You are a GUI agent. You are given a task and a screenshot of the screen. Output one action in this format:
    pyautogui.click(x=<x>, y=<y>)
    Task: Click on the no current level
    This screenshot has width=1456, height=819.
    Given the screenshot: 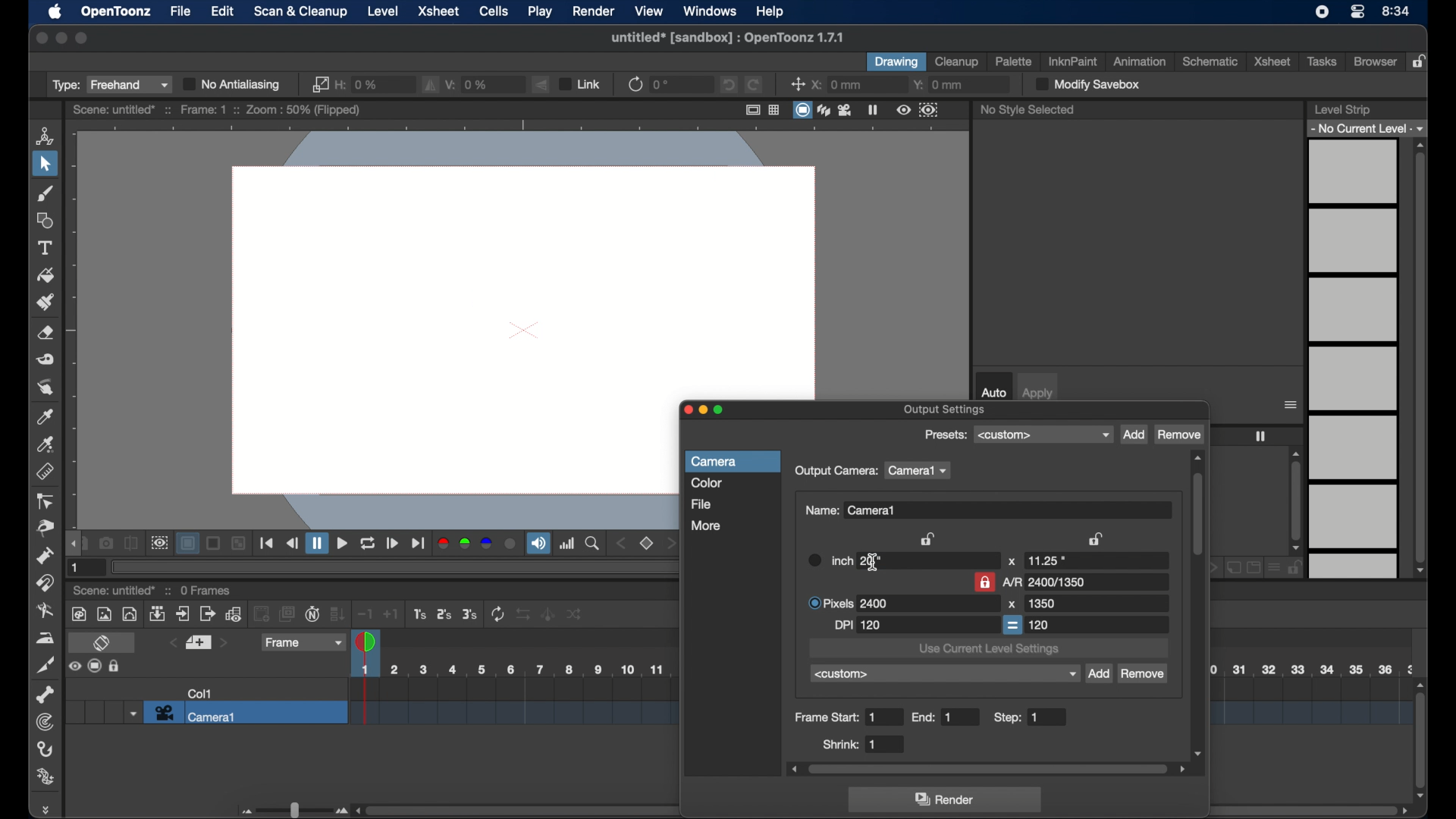 What is the action you would take?
    pyautogui.click(x=1369, y=127)
    